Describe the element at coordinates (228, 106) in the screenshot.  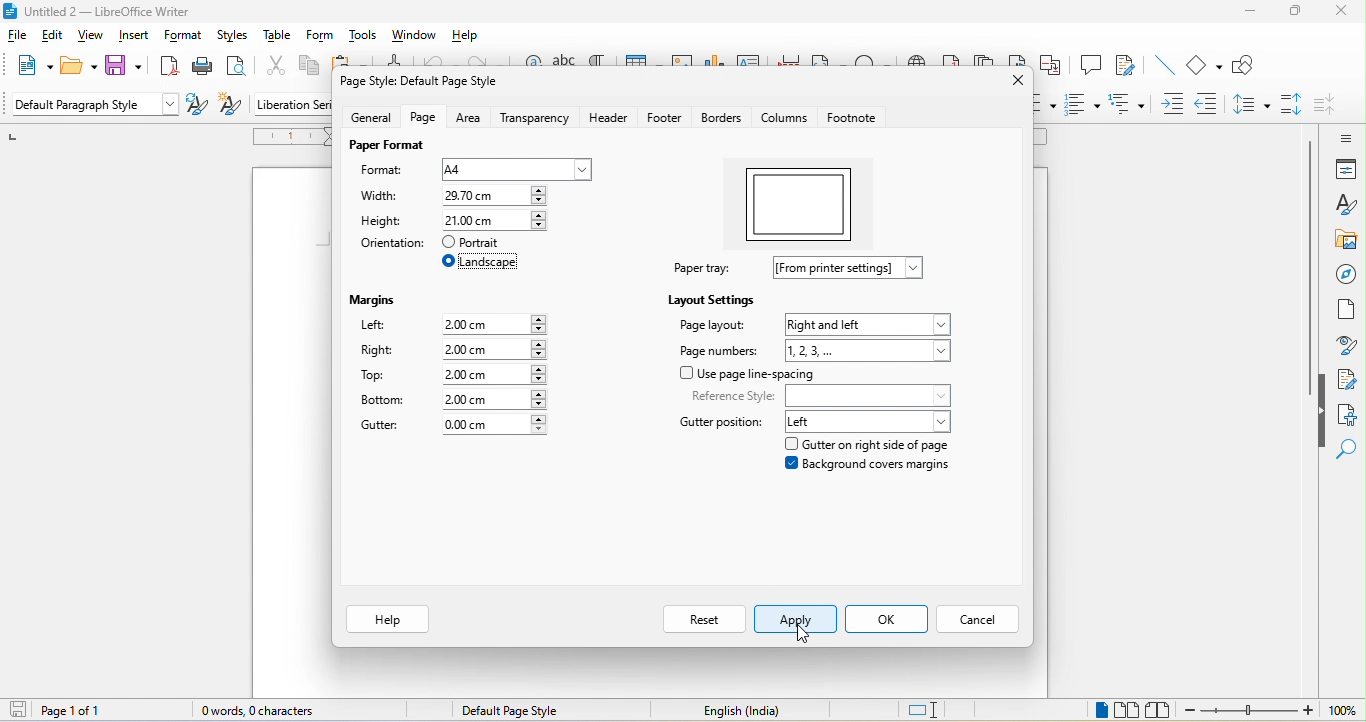
I see `new style form selection` at that location.